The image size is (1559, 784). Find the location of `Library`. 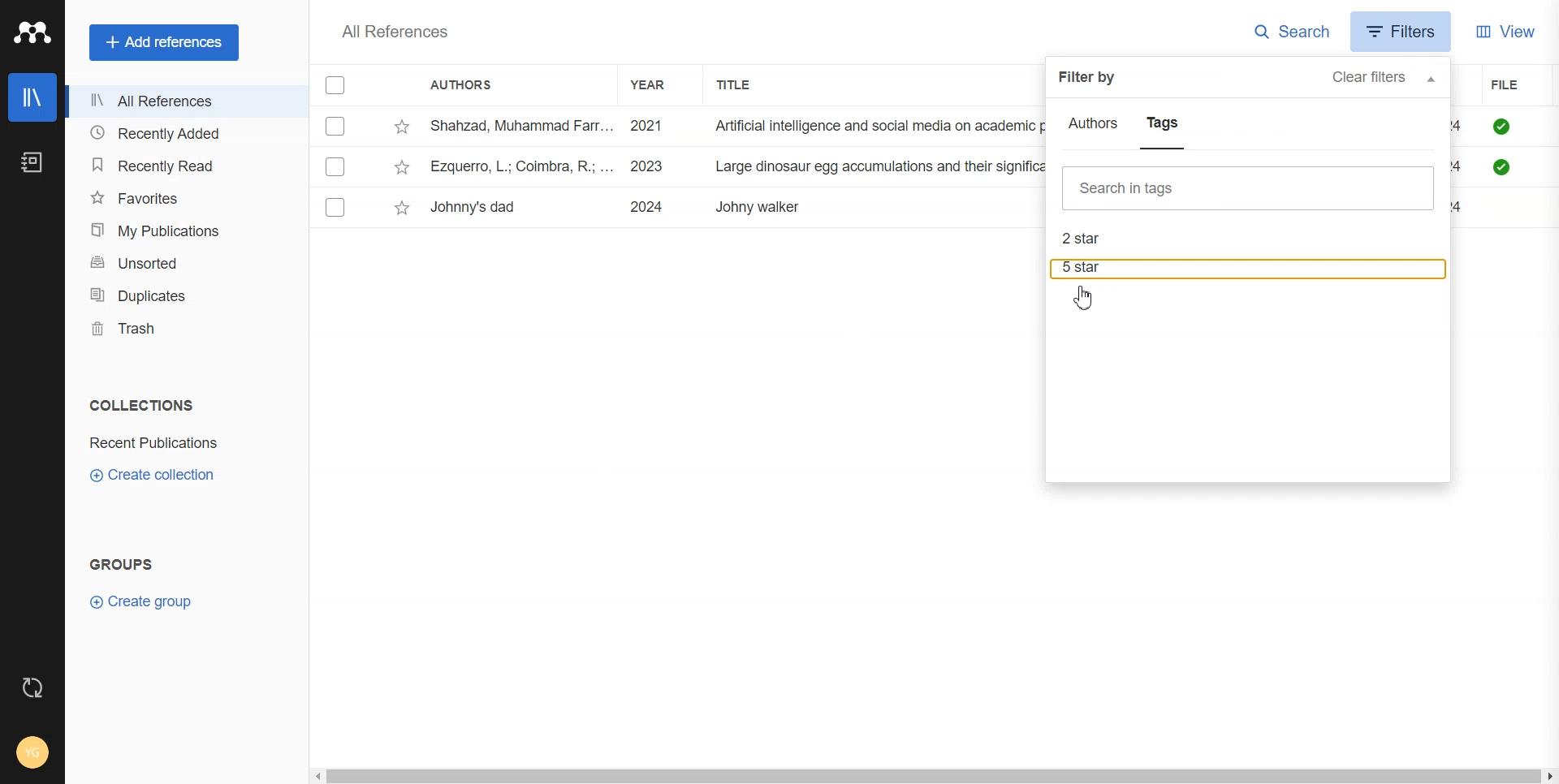

Library is located at coordinates (32, 97).